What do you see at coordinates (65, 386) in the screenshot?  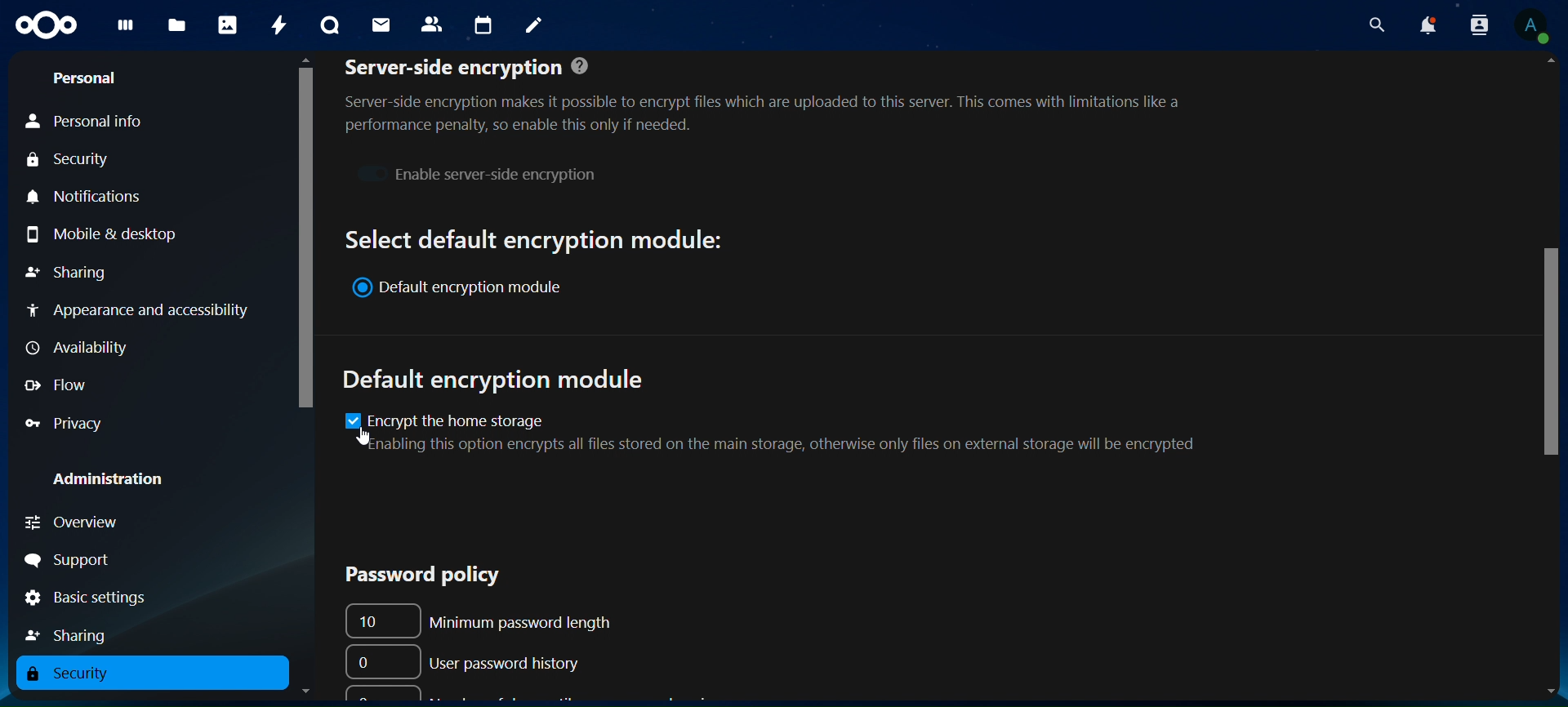 I see `flow` at bounding box center [65, 386].